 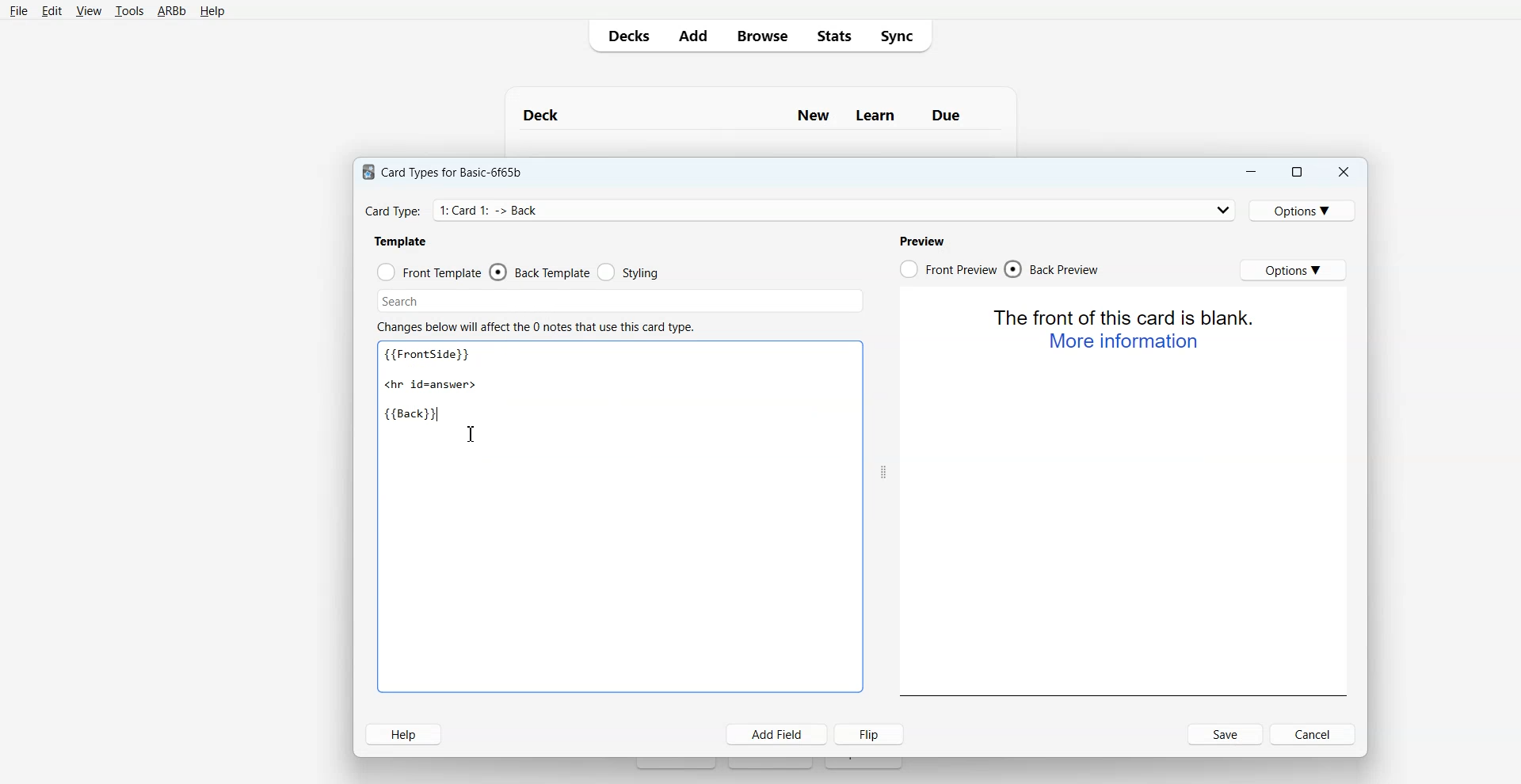 What do you see at coordinates (444, 385) in the screenshot?
I see `Text 1` at bounding box center [444, 385].